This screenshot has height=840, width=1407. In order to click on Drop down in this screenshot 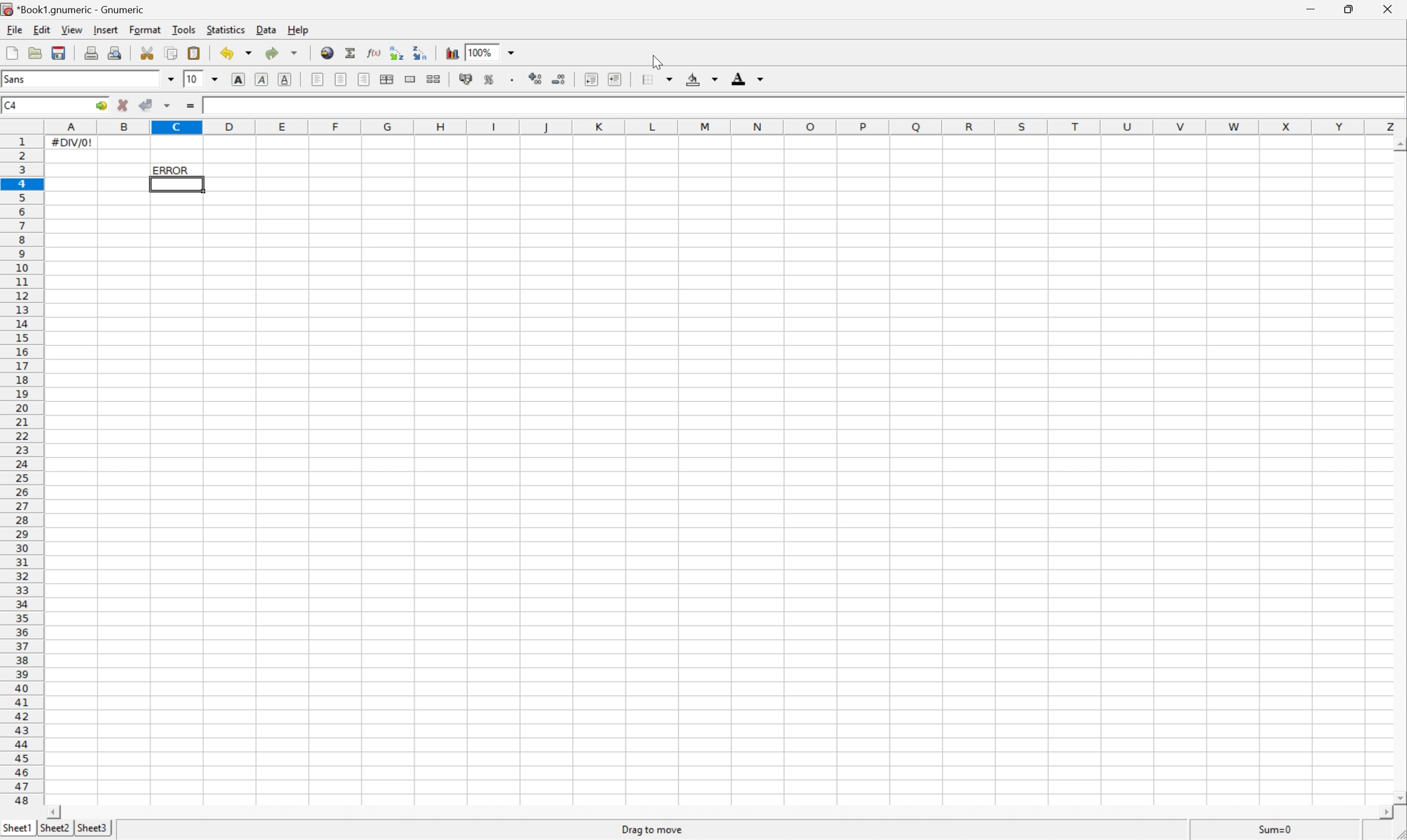, I will do `click(169, 79)`.